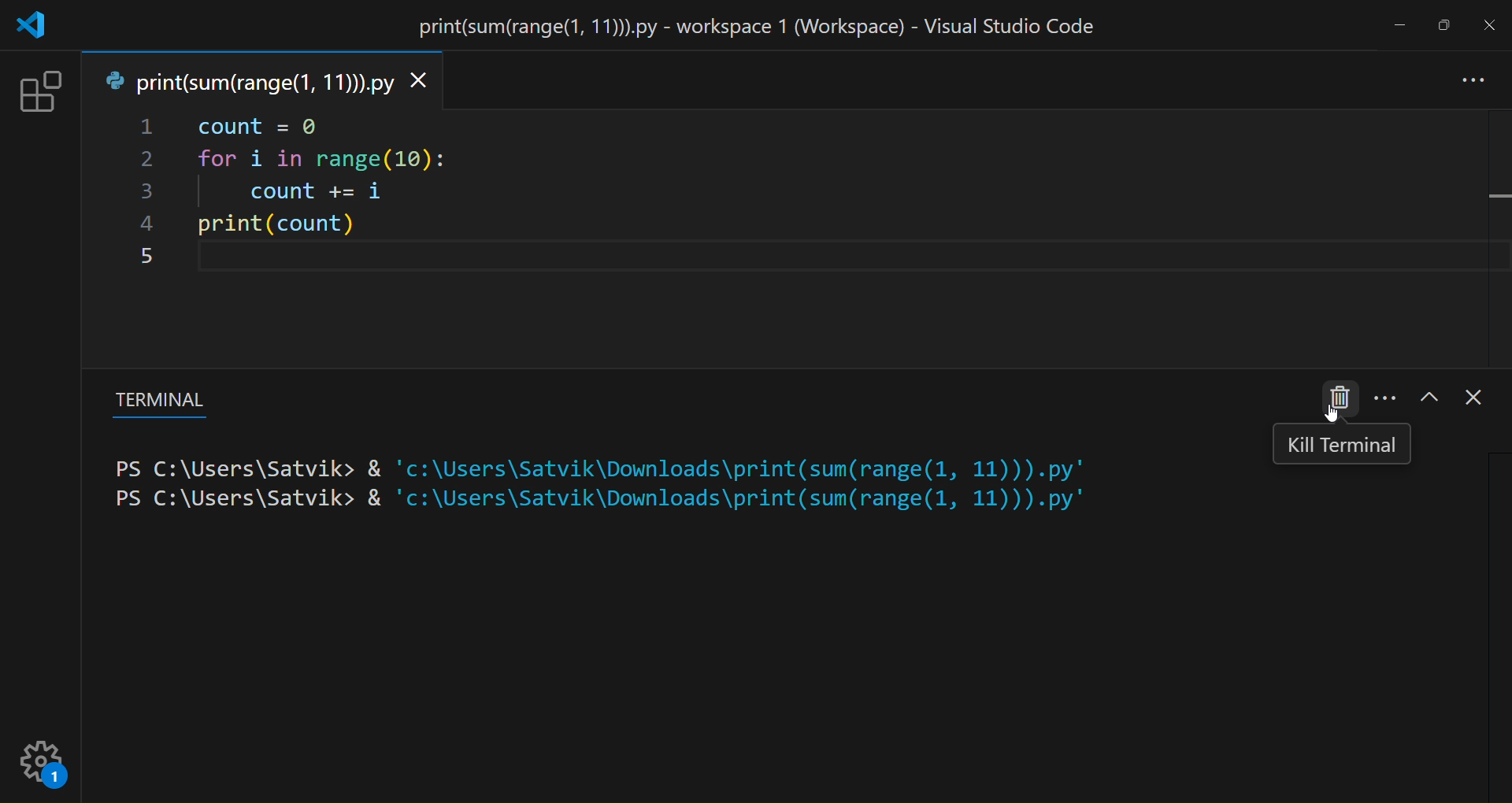  What do you see at coordinates (1399, 29) in the screenshot?
I see `minimize` at bounding box center [1399, 29].